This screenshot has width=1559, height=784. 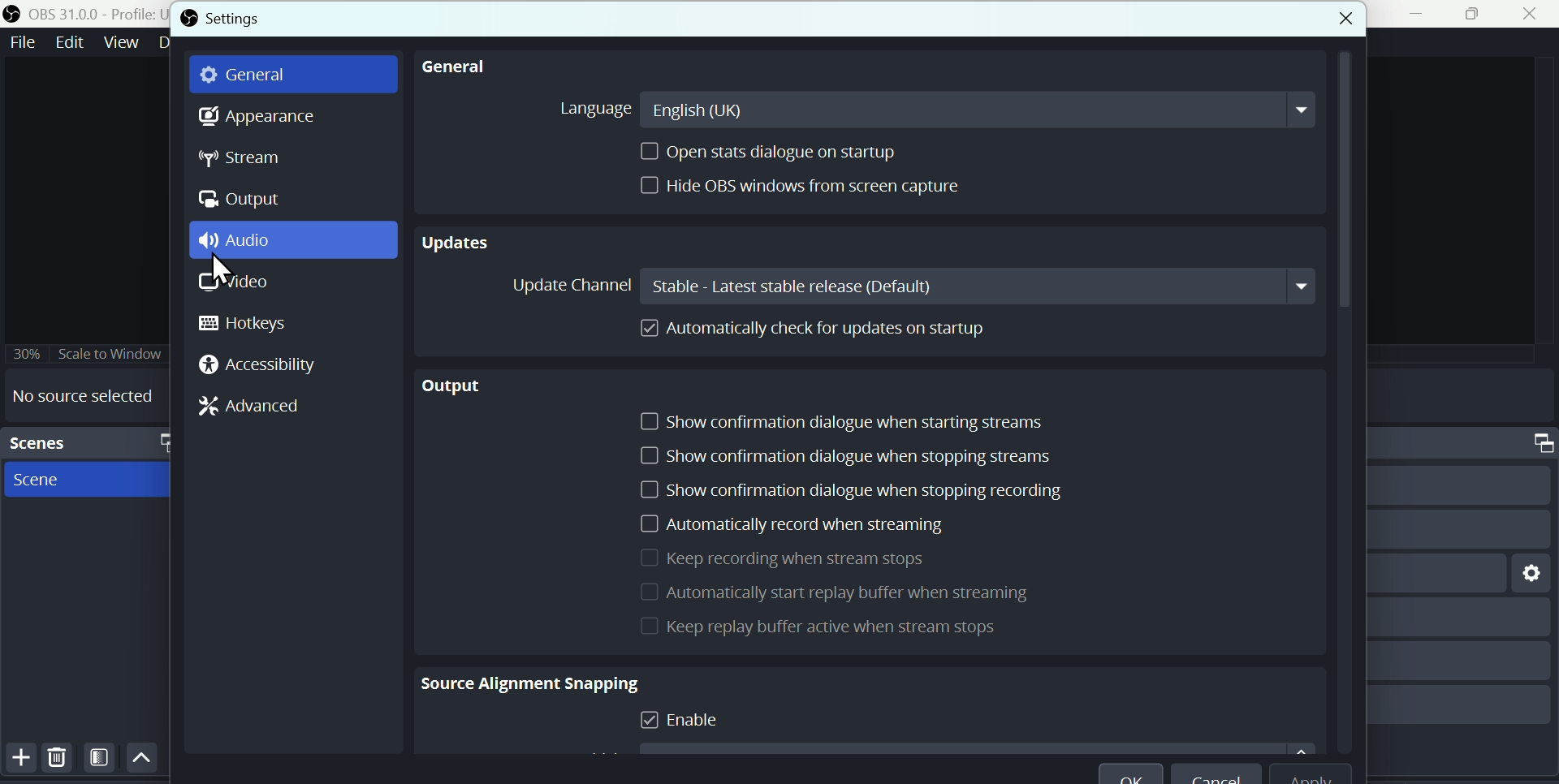 I want to click on Updates, so click(x=457, y=239).